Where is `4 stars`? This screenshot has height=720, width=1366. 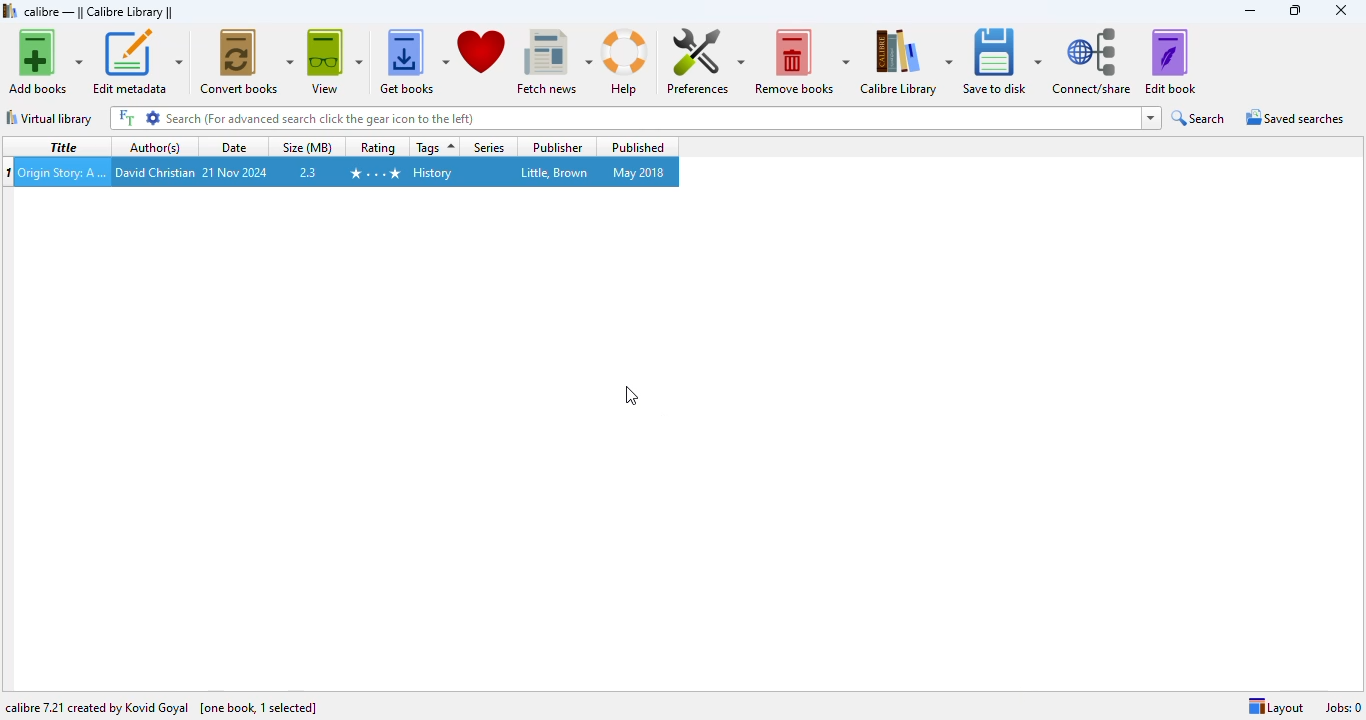
4 stars is located at coordinates (376, 174).